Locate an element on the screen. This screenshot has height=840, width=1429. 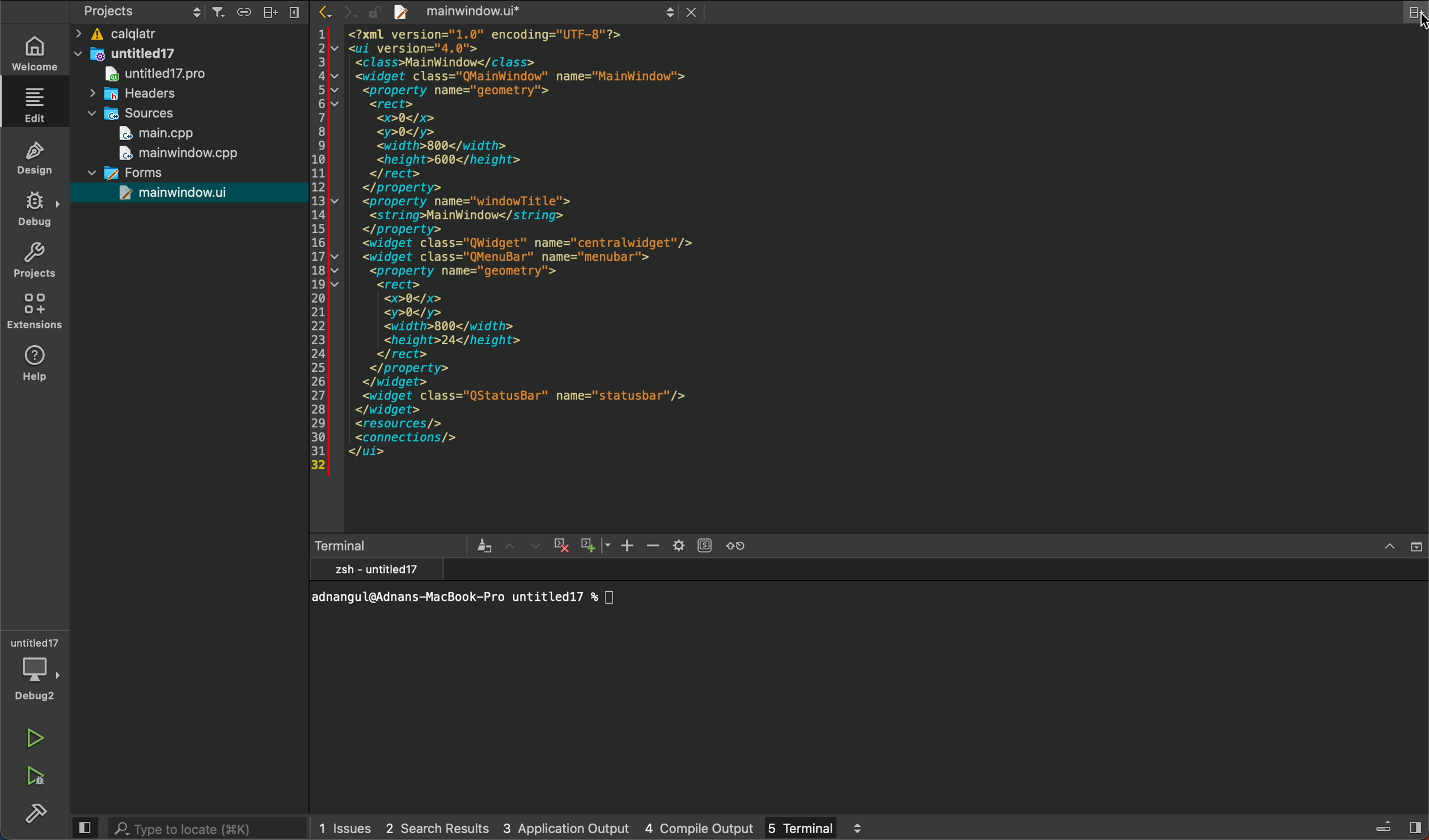
file tab is located at coordinates (520, 11).